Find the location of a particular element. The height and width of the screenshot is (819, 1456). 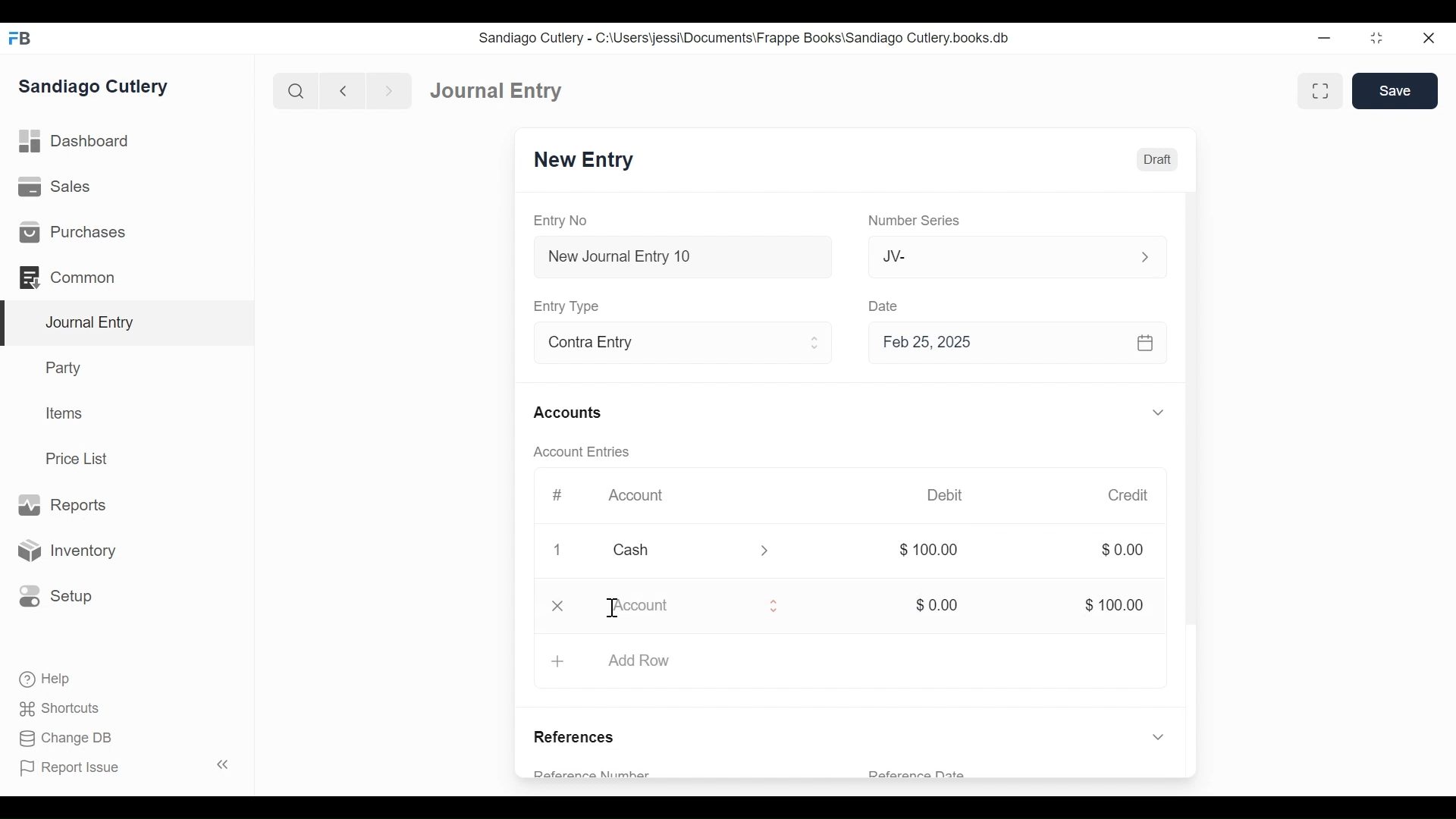

$100.00 is located at coordinates (925, 550).